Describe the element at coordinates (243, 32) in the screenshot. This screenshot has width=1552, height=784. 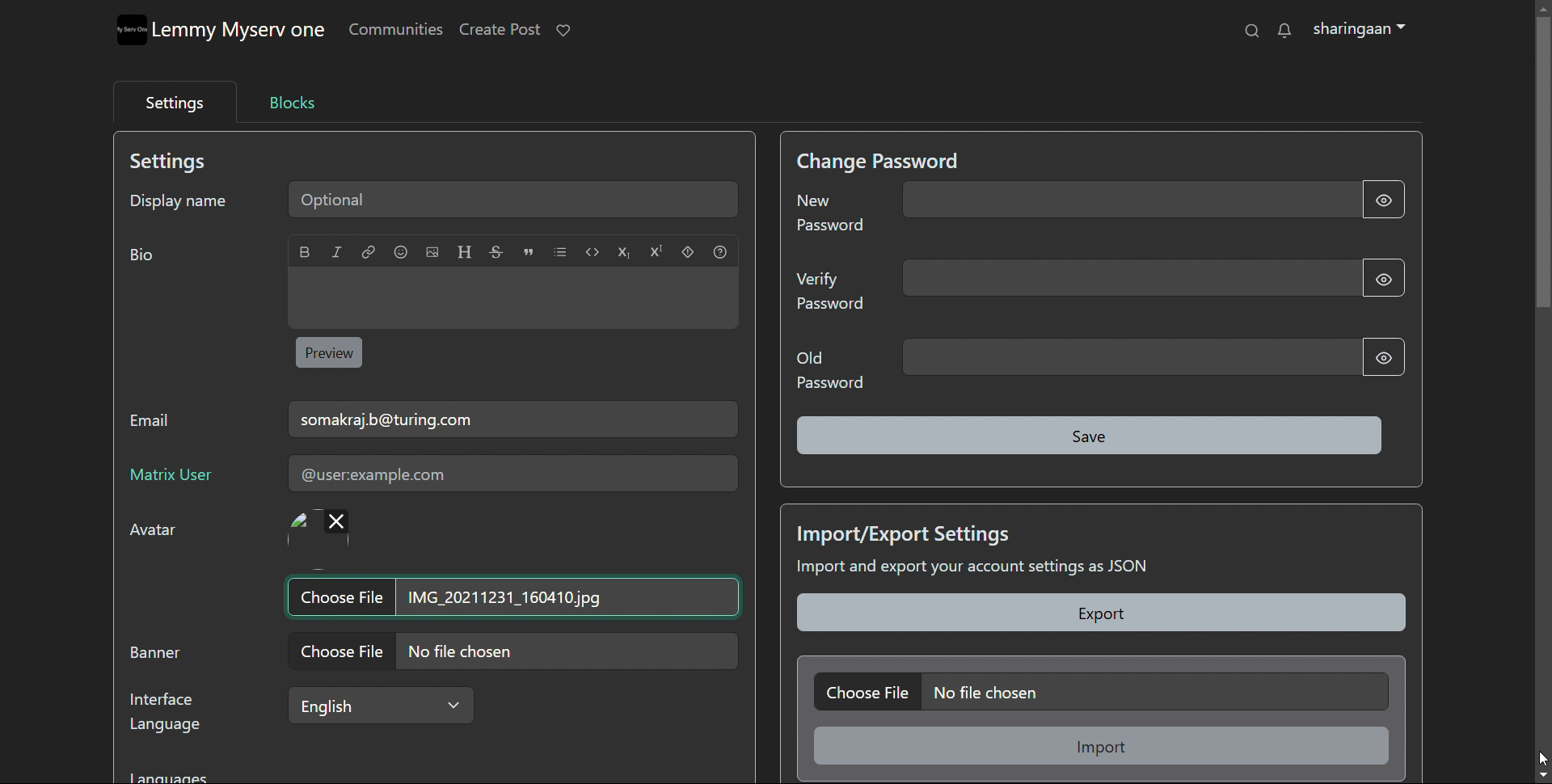
I see `Lemmy Myserv one` at that location.